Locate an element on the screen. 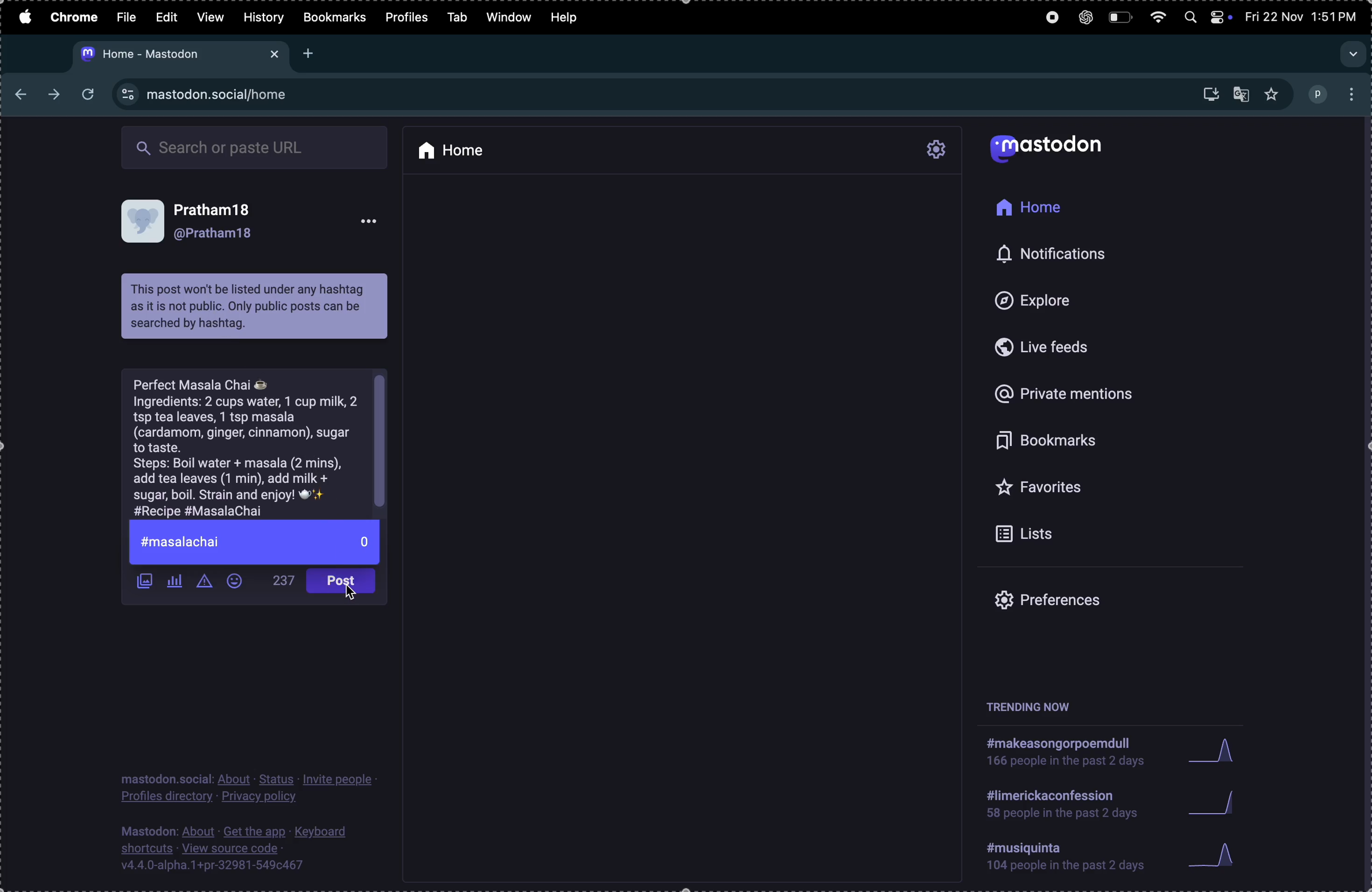 This screenshot has width=1372, height=892. explore is located at coordinates (1069, 297).